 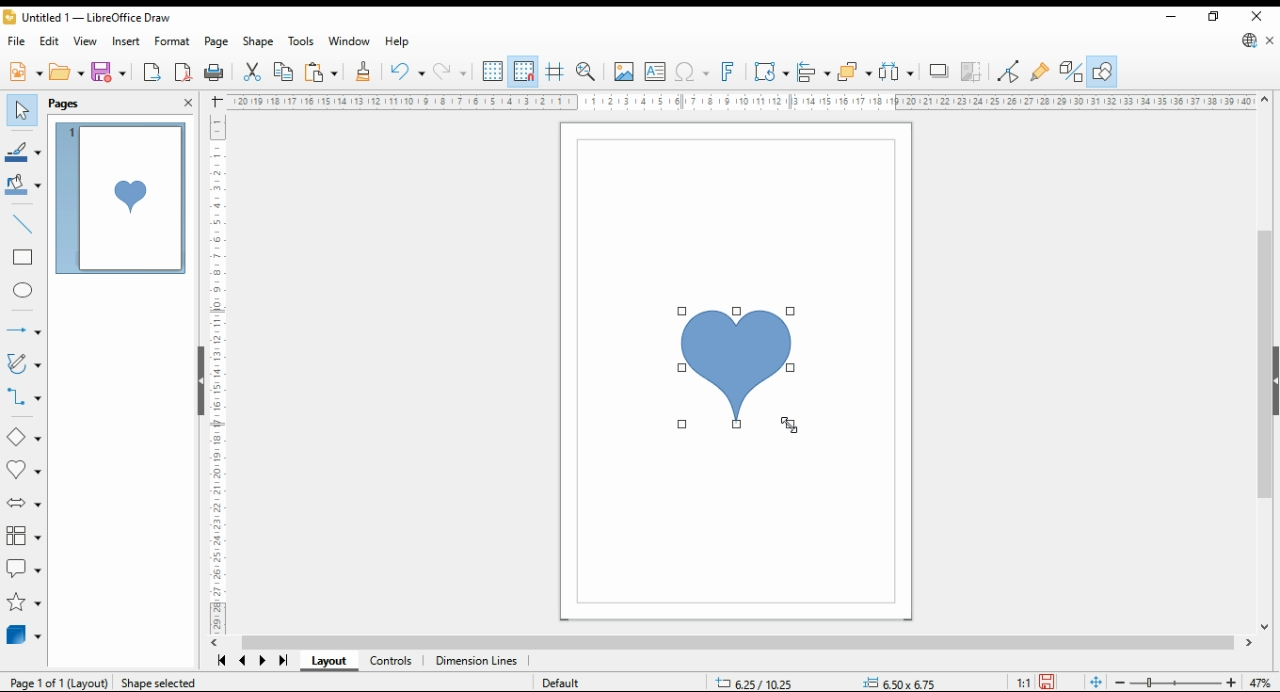 I want to click on rectangle, so click(x=24, y=258).